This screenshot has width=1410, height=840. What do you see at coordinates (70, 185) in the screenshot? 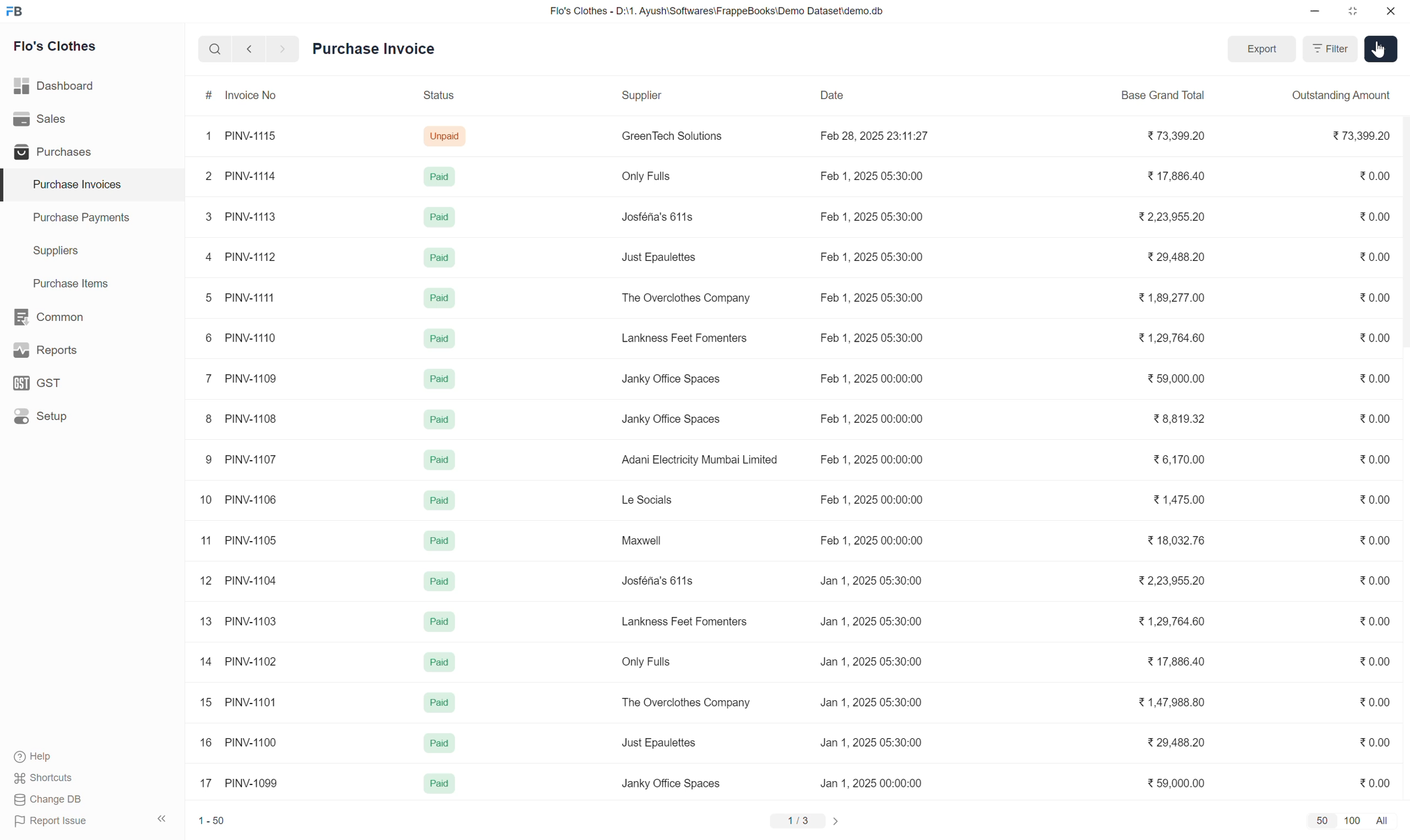
I see `Purchase Invoices` at bounding box center [70, 185].